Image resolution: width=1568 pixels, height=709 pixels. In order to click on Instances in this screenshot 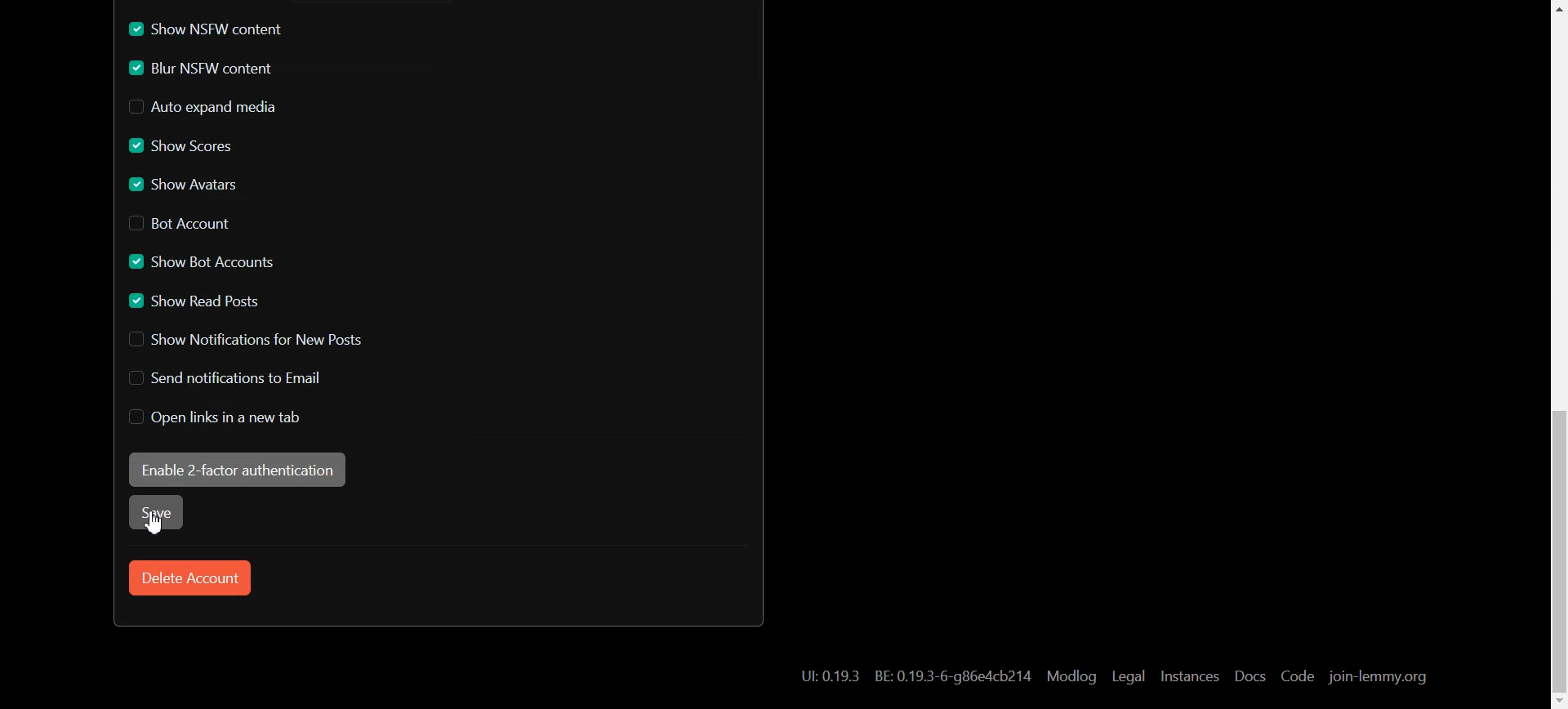, I will do `click(1189, 676)`.